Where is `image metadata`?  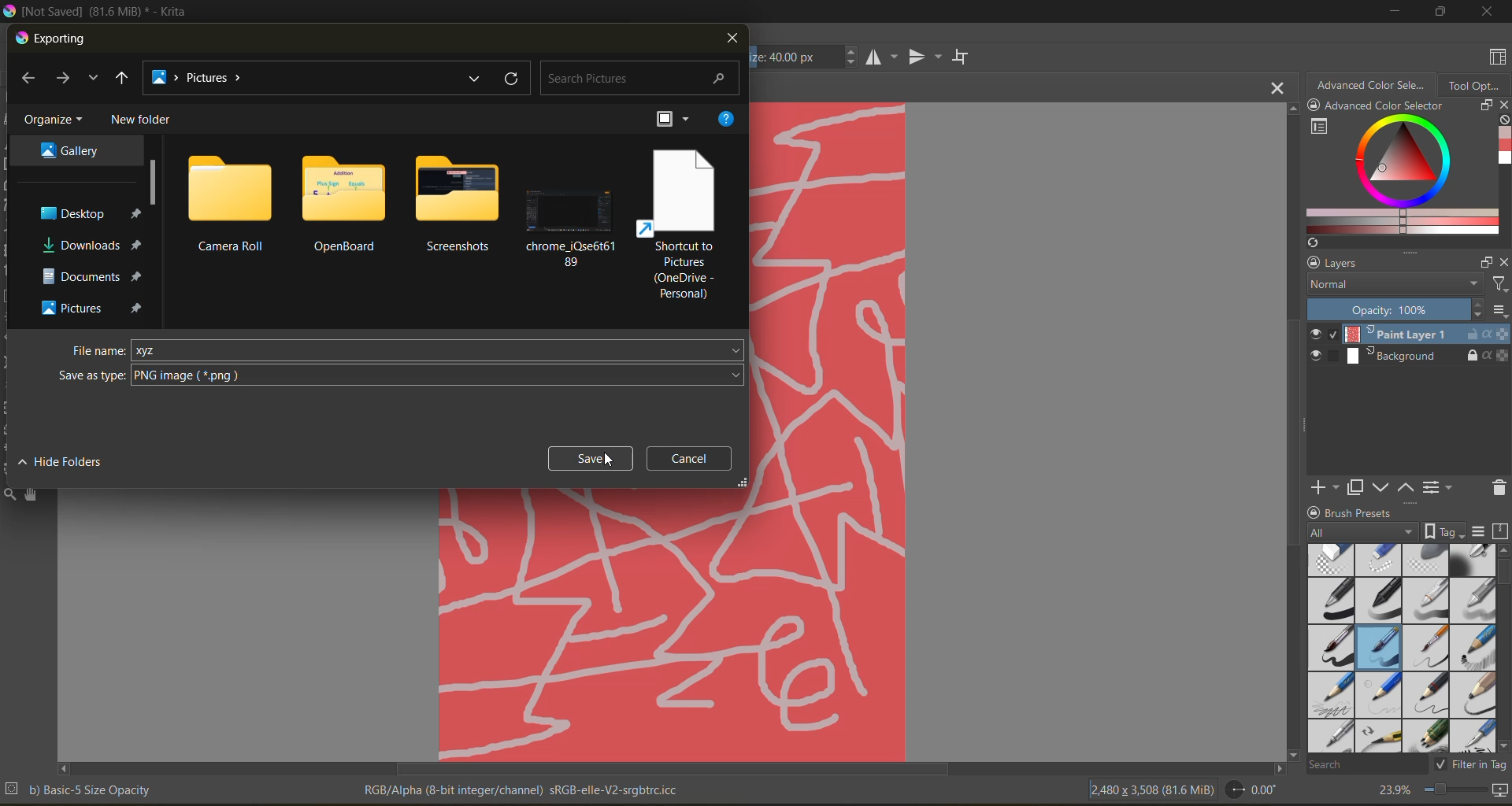
image metadata is located at coordinates (1151, 788).